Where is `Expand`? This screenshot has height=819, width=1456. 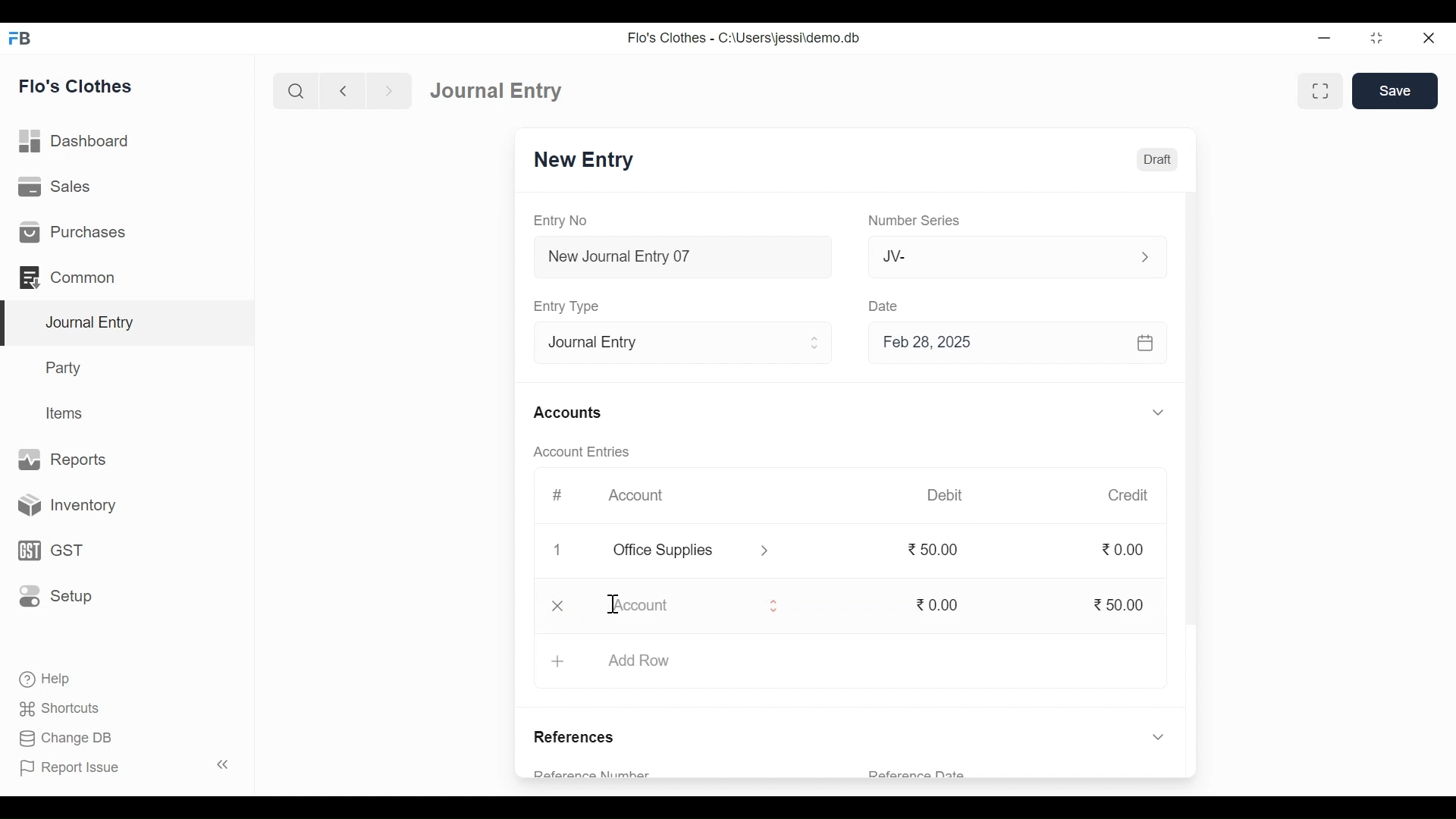 Expand is located at coordinates (765, 552).